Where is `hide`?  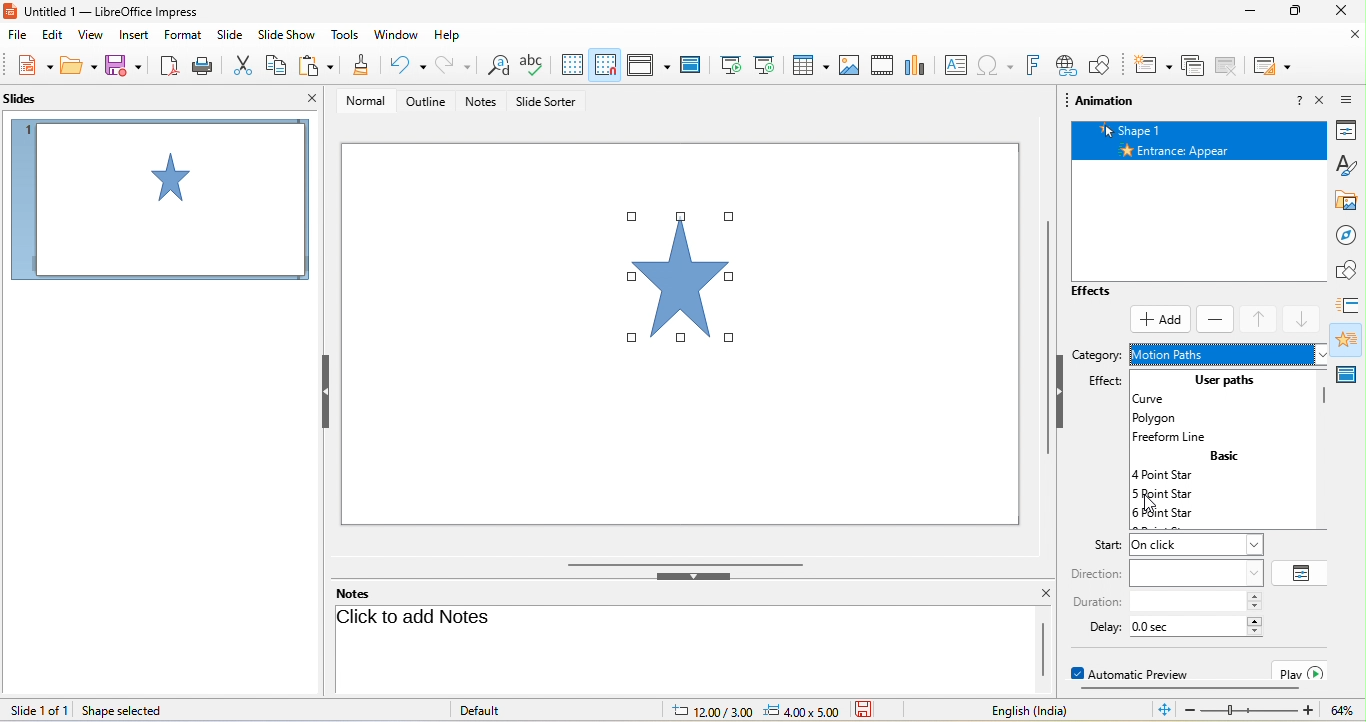
hide is located at coordinates (1061, 396).